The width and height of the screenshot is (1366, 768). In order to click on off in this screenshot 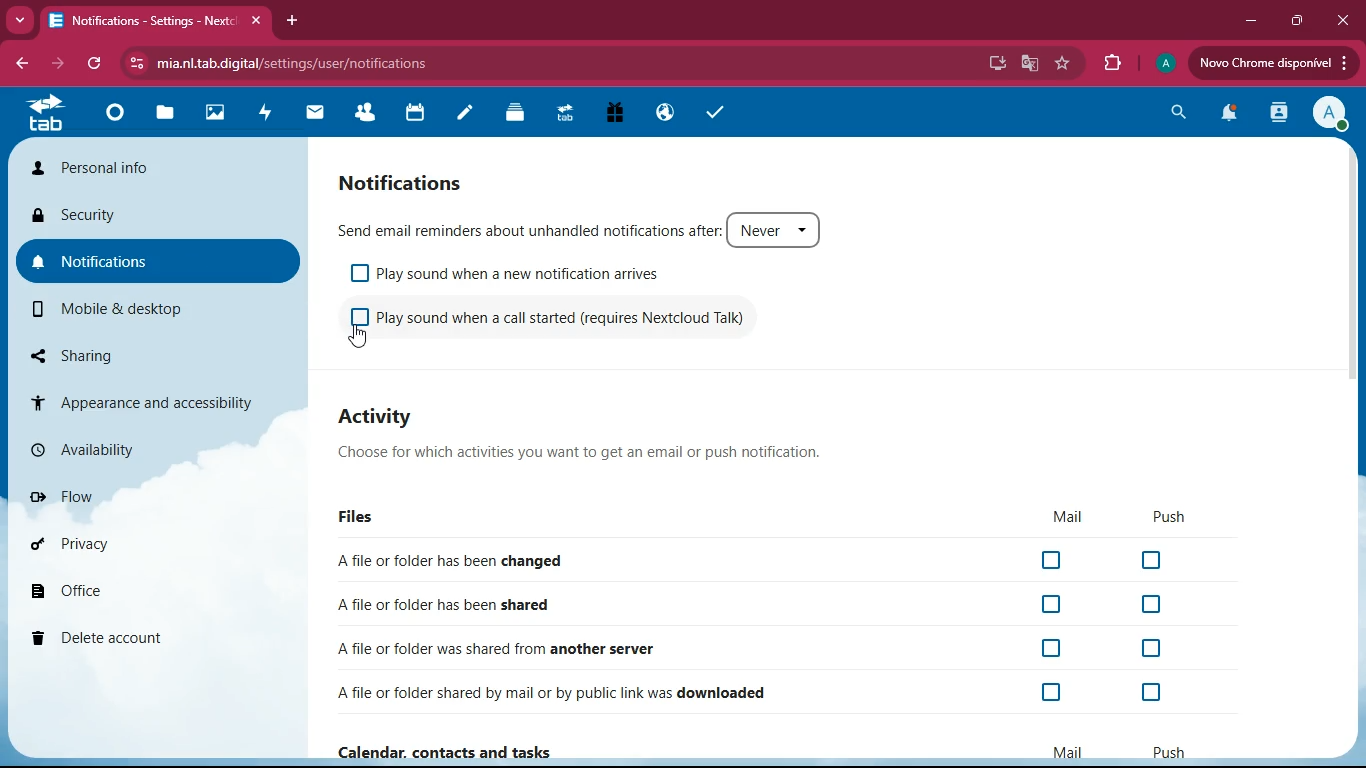, I will do `click(1054, 562)`.